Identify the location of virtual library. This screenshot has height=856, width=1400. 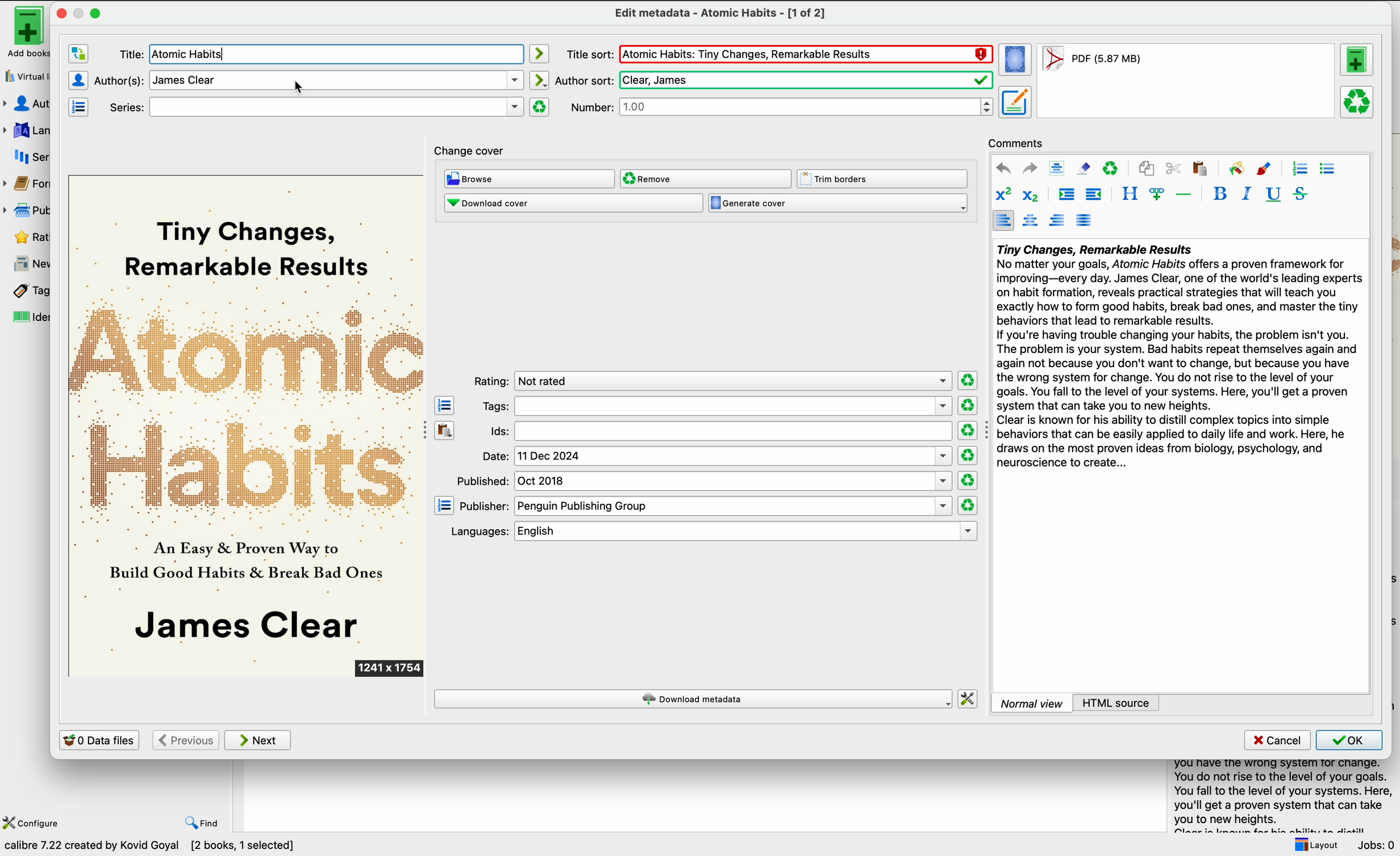
(24, 76).